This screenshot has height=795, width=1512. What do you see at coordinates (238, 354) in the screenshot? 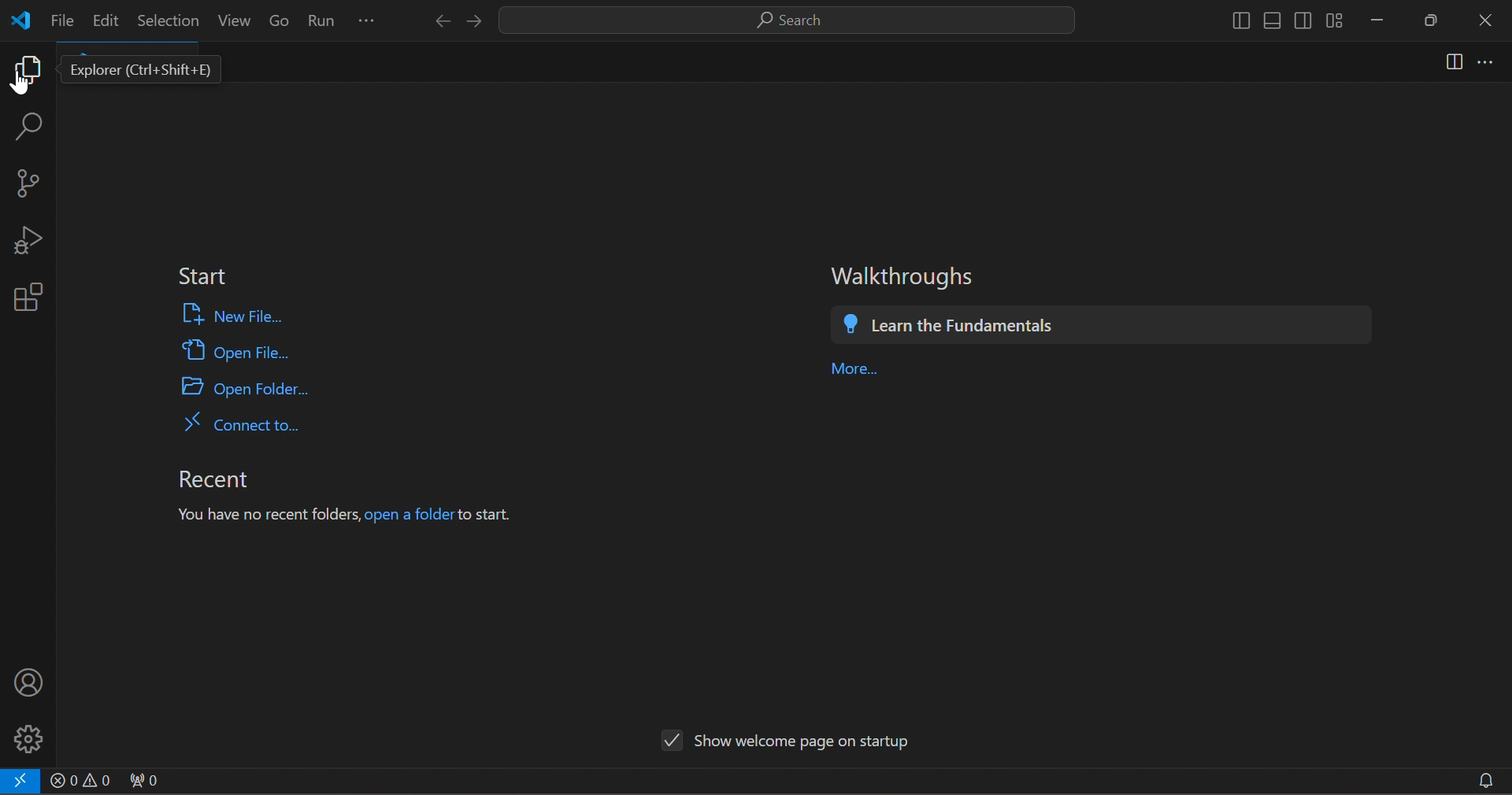
I see `Open File...` at bounding box center [238, 354].